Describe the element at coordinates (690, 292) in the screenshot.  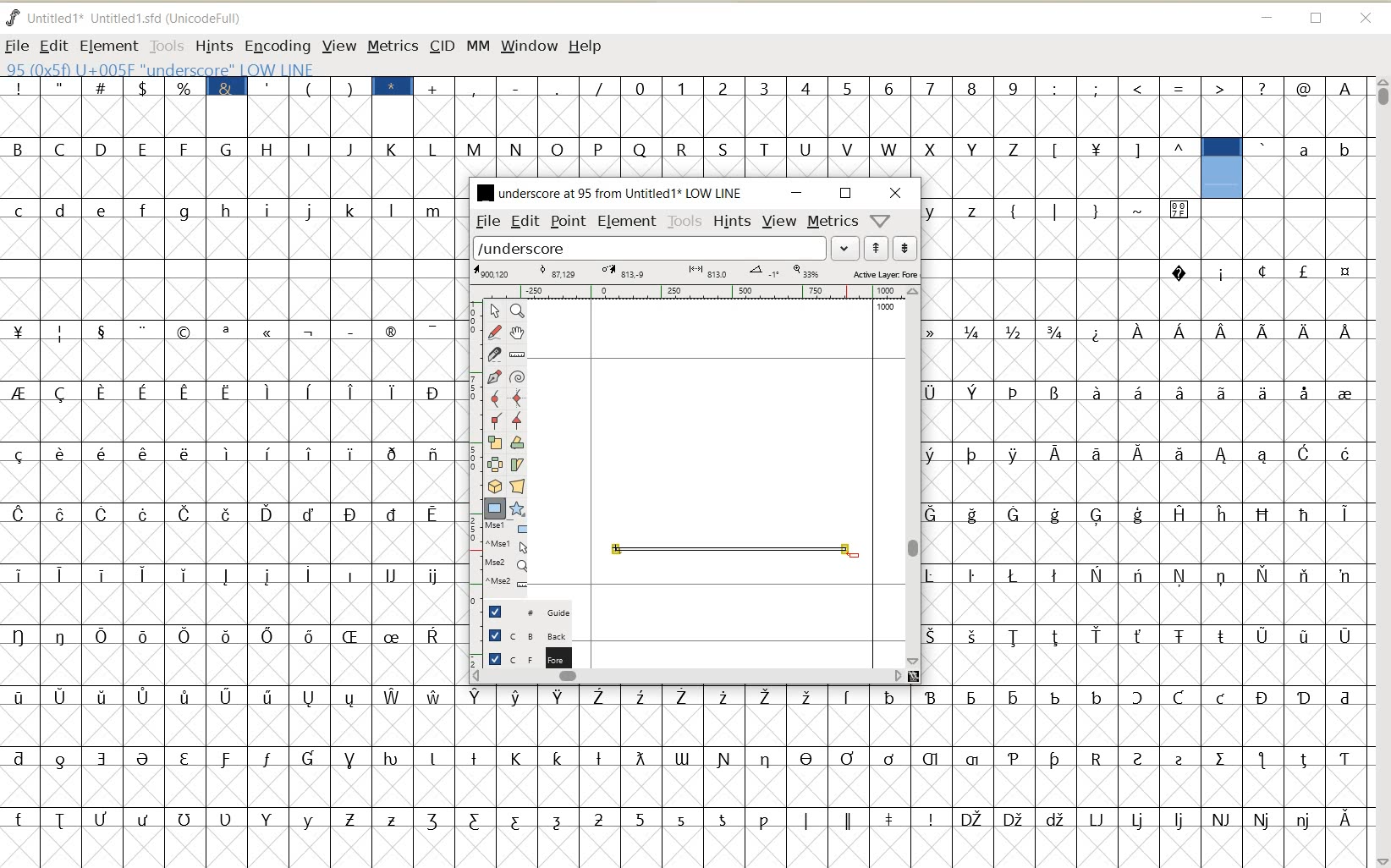
I see `RULER` at that location.